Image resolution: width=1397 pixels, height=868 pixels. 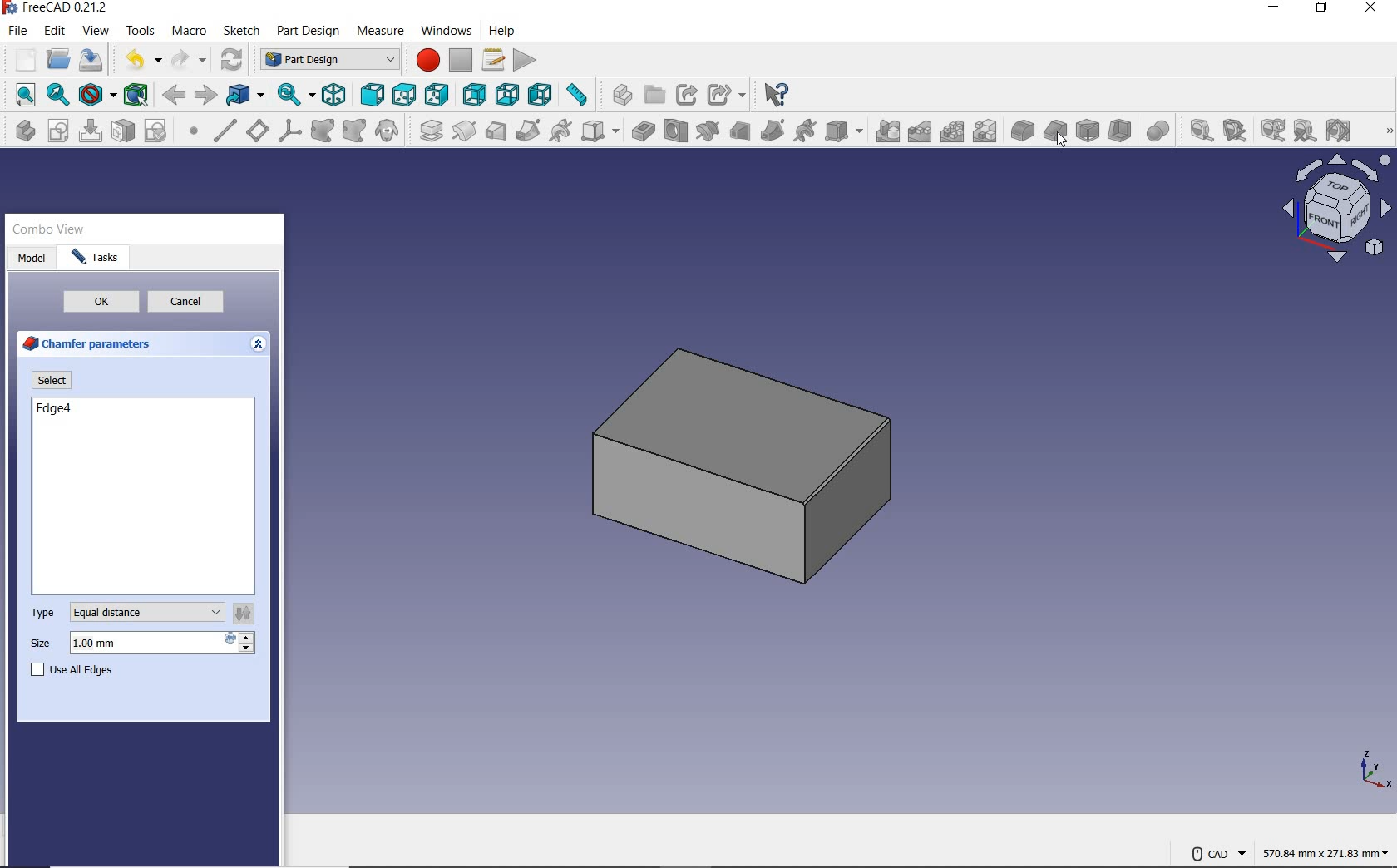 What do you see at coordinates (243, 30) in the screenshot?
I see `sketch` at bounding box center [243, 30].